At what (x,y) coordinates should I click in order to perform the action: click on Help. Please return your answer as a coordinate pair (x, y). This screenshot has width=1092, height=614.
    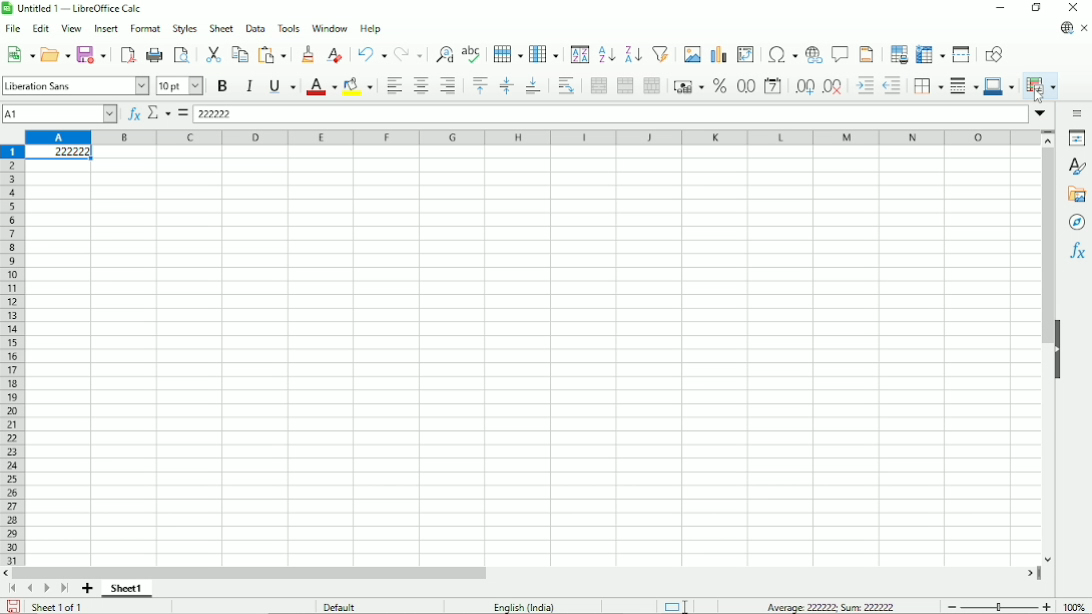
    Looking at the image, I should click on (371, 29).